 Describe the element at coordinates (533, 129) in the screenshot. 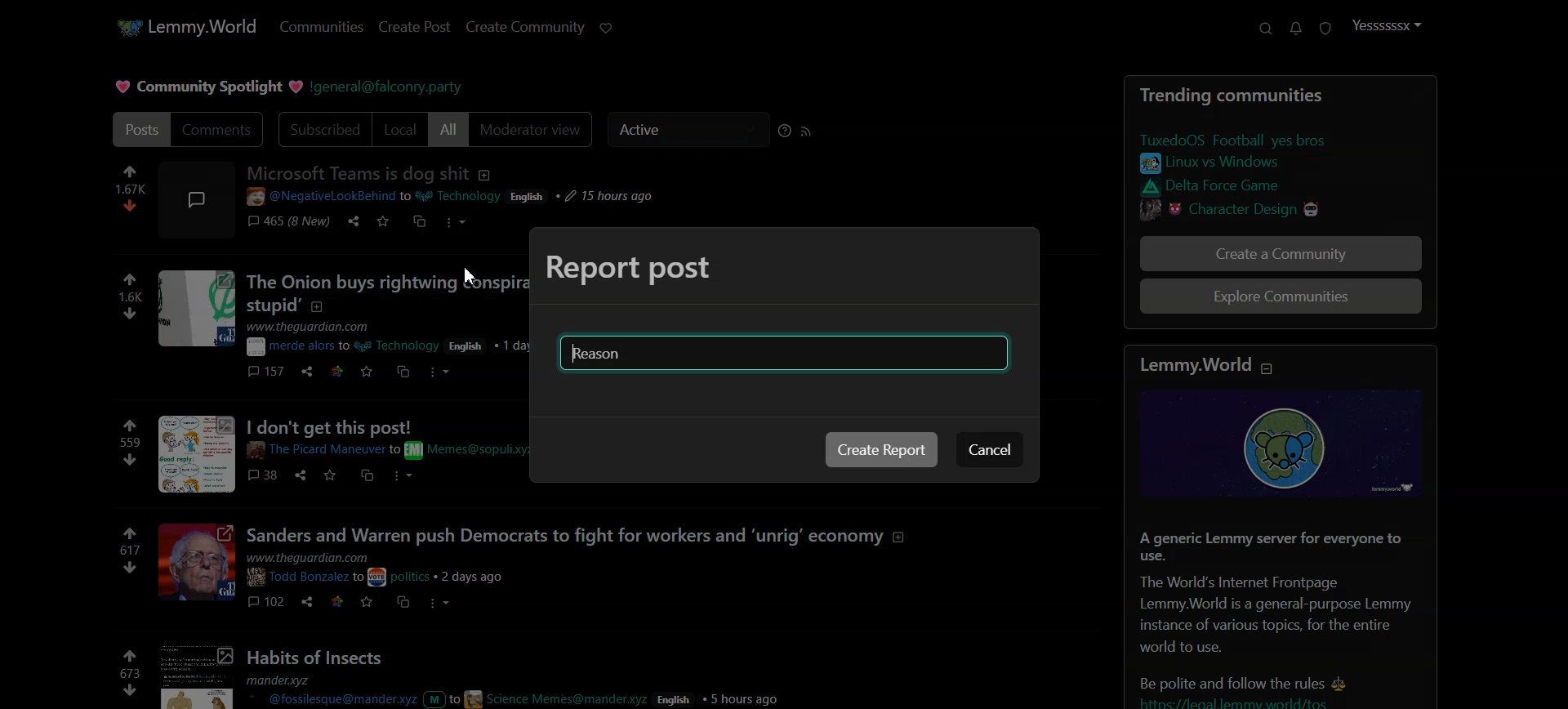

I see `Moderator view` at that location.